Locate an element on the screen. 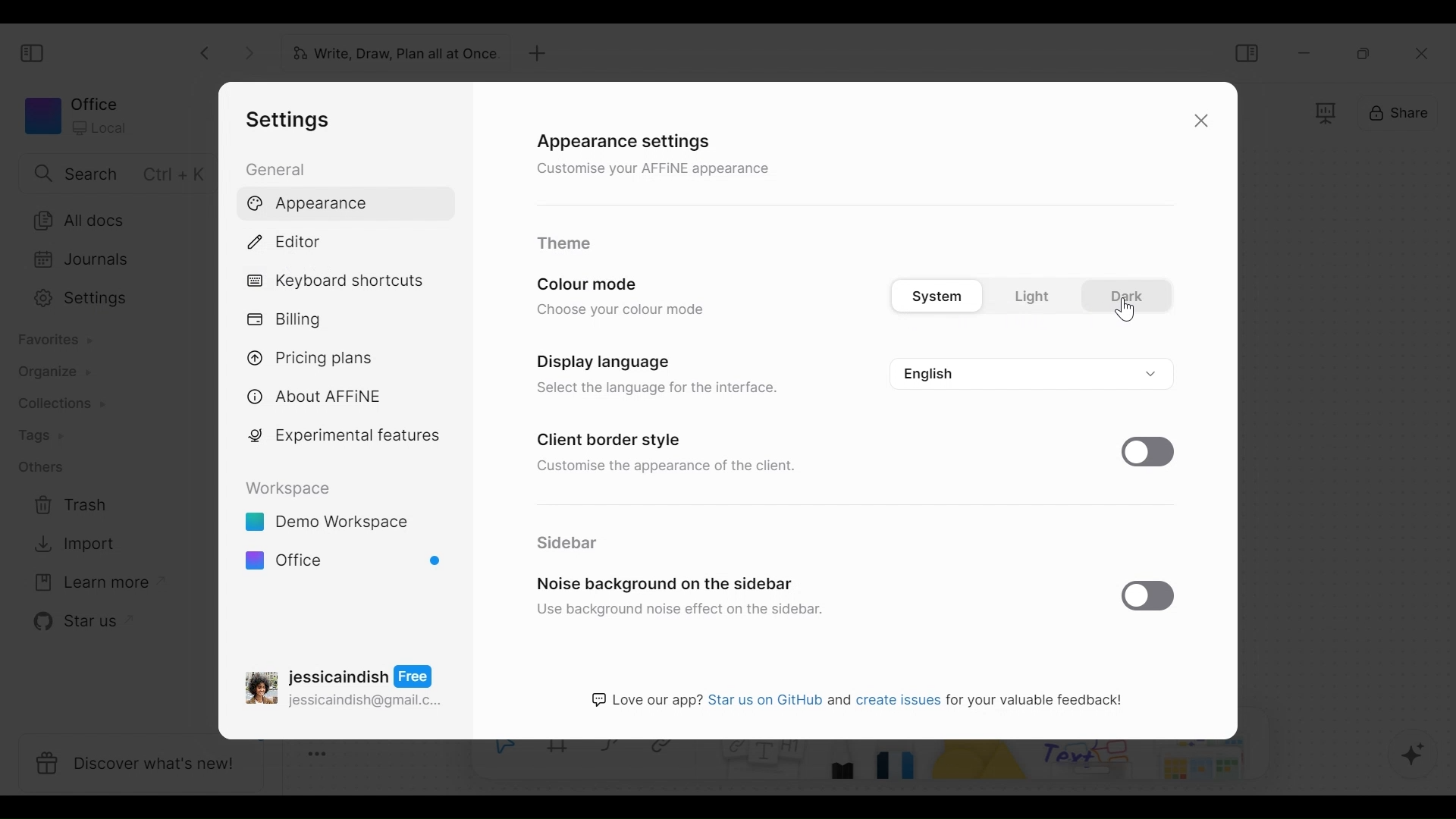  Close is located at coordinates (1425, 51).